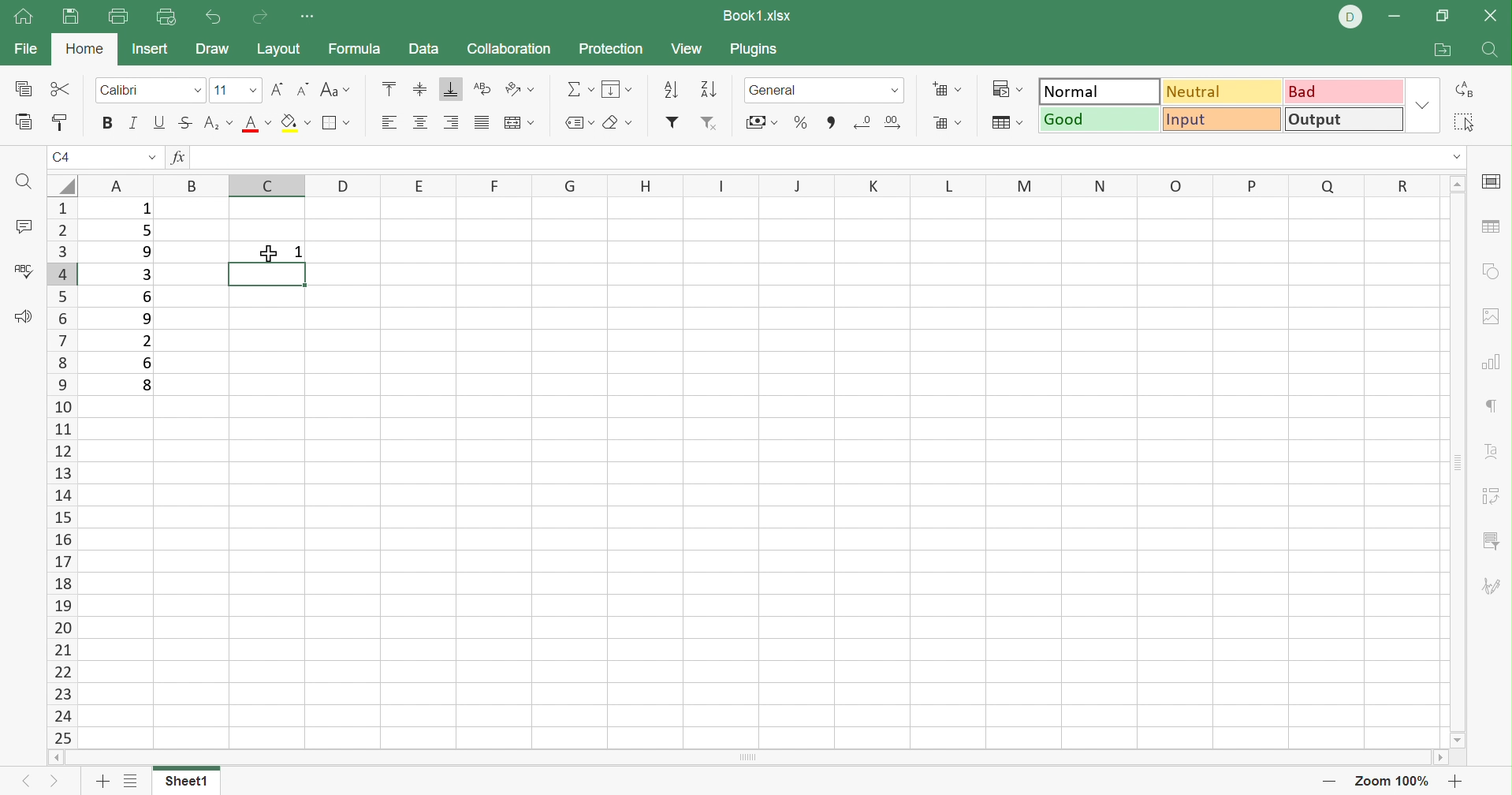  Describe the element at coordinates (22, 226) in the screenshot. I see `Comment` at that location.